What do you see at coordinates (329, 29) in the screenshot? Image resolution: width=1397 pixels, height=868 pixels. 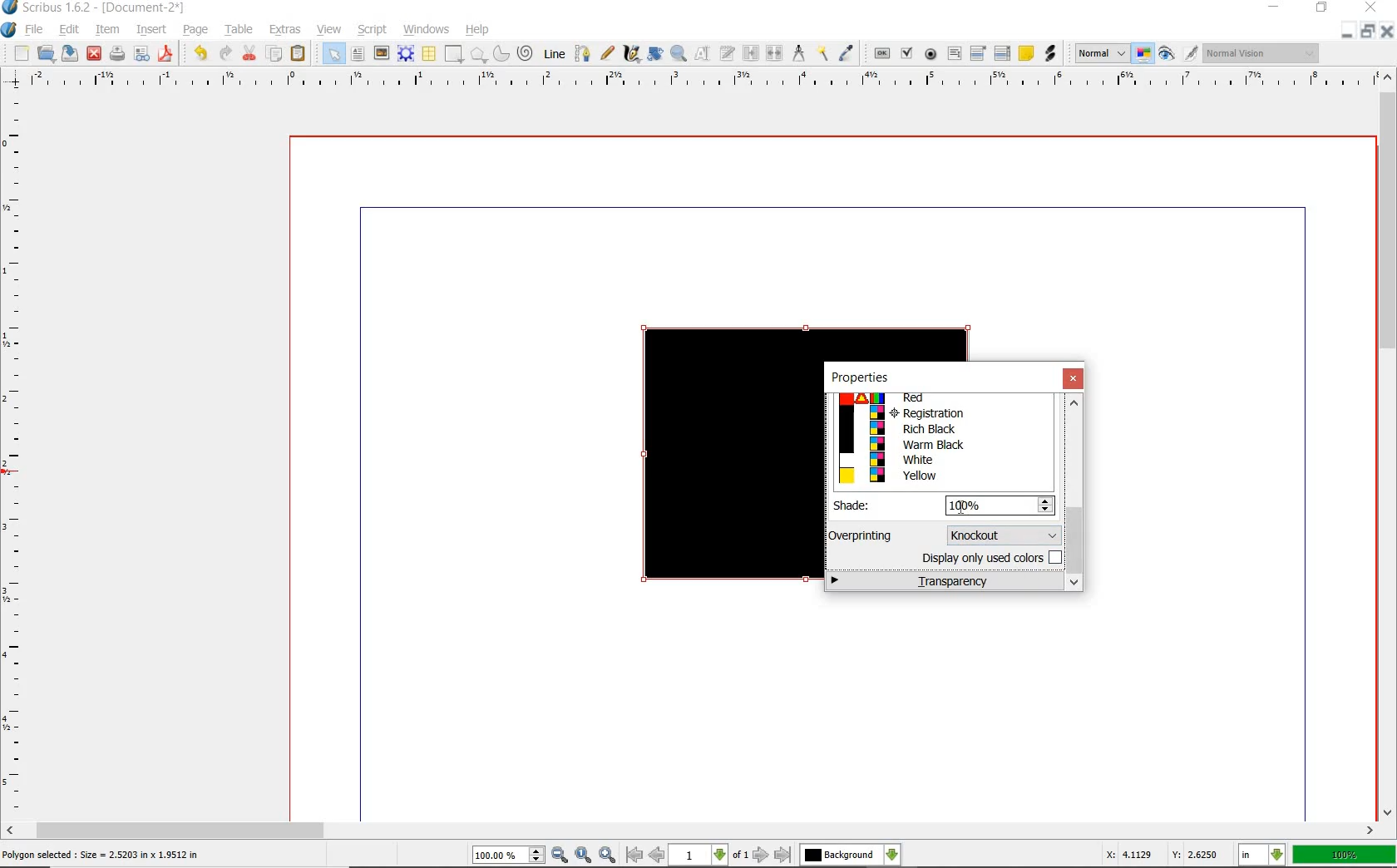 I see `view` at bounding box center [329, 29].